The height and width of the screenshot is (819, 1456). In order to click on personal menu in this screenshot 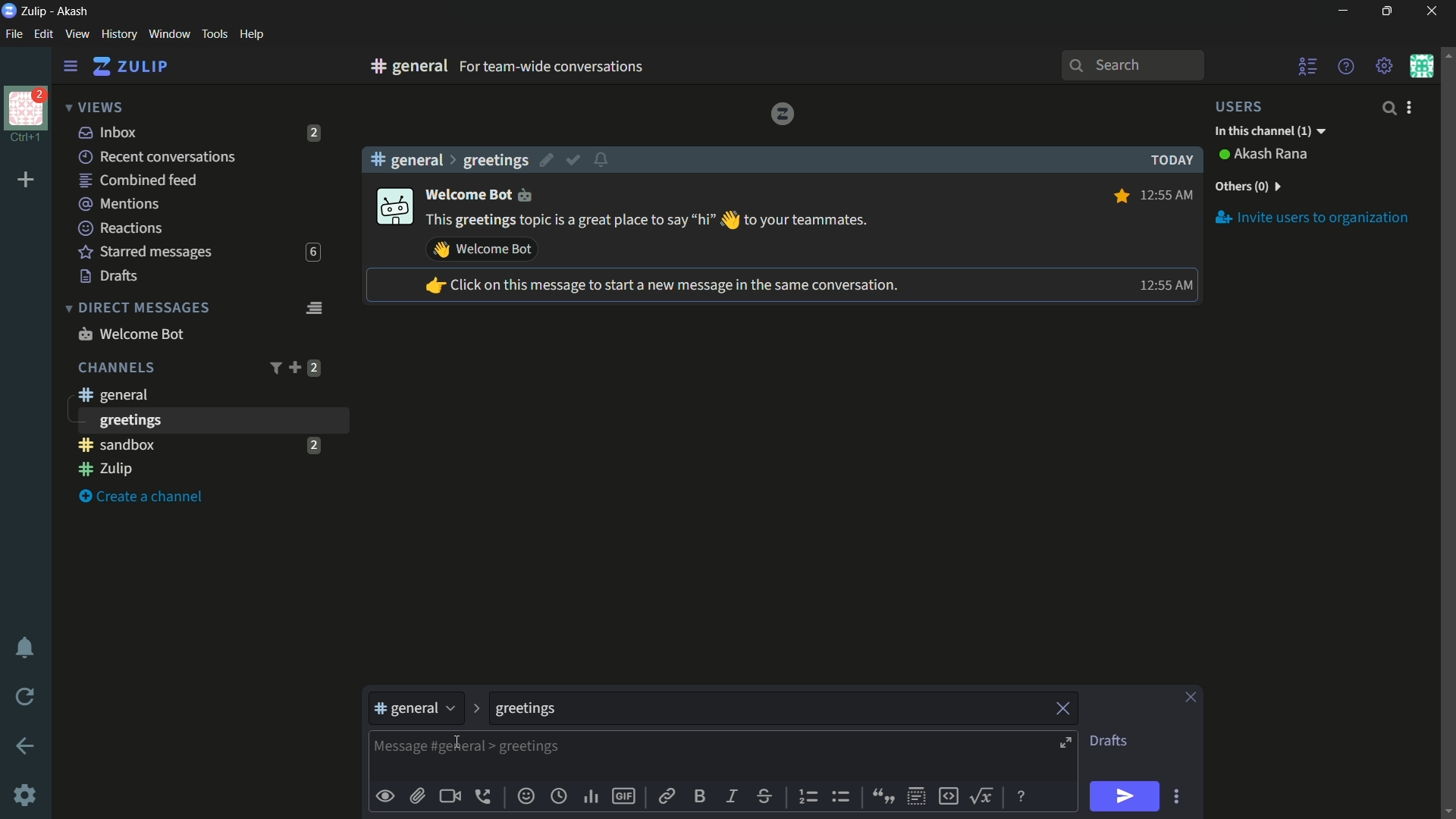, I will do `click(1421, 66)`.